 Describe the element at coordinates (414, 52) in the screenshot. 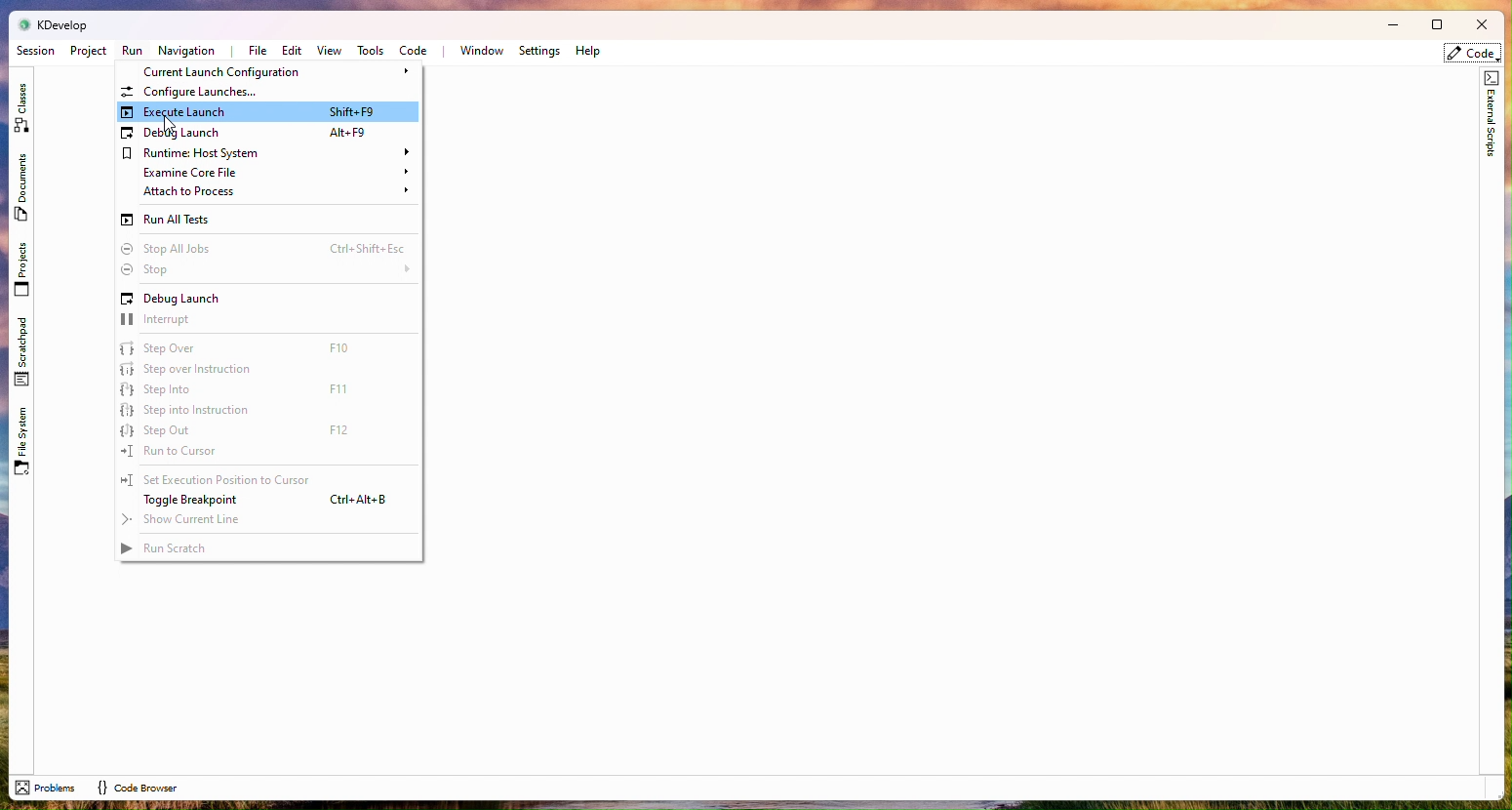

I see `Code` at that location.